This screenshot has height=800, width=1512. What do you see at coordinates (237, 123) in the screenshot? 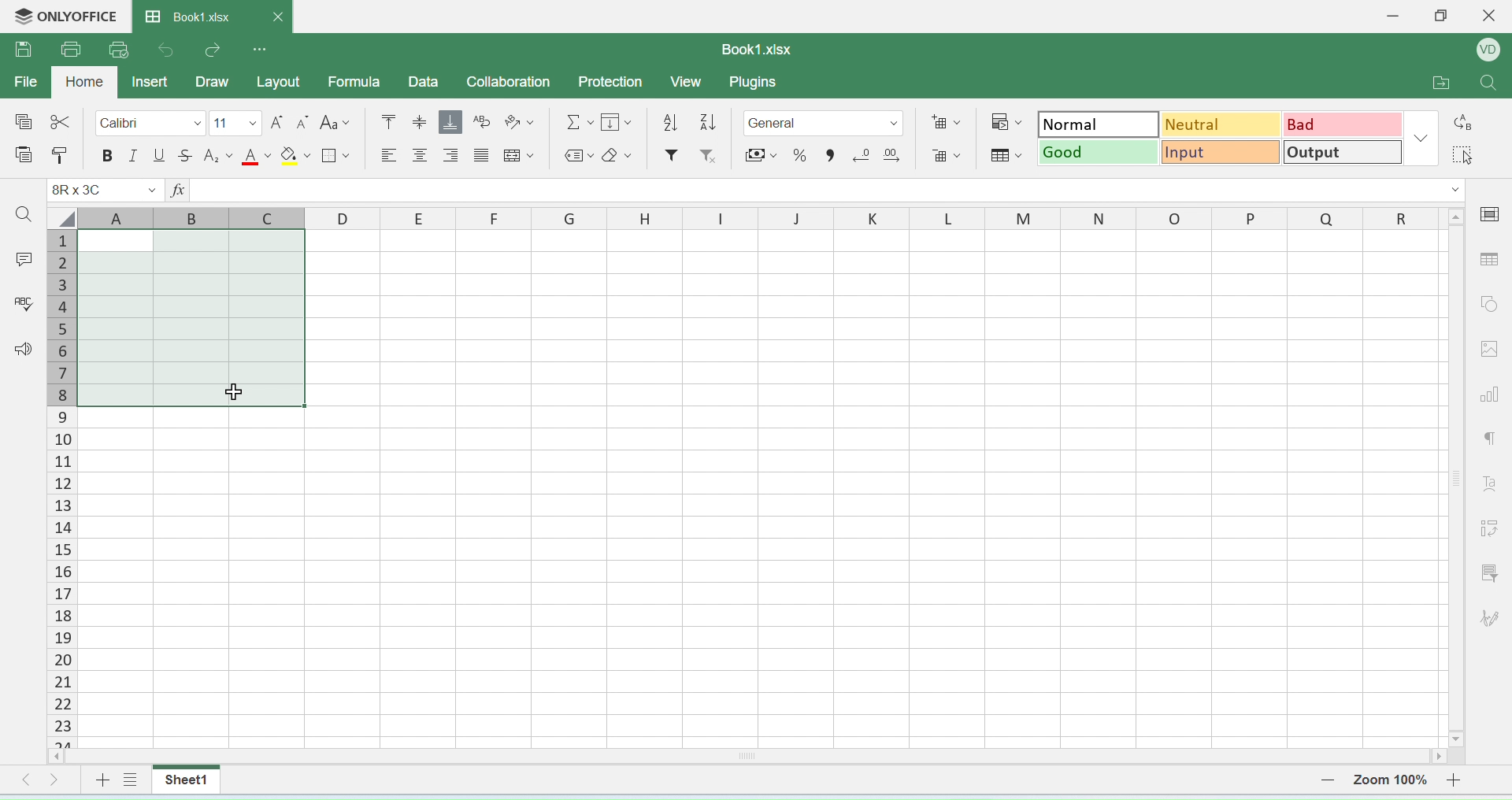
I see `font size` at bounding box center [237, 123].